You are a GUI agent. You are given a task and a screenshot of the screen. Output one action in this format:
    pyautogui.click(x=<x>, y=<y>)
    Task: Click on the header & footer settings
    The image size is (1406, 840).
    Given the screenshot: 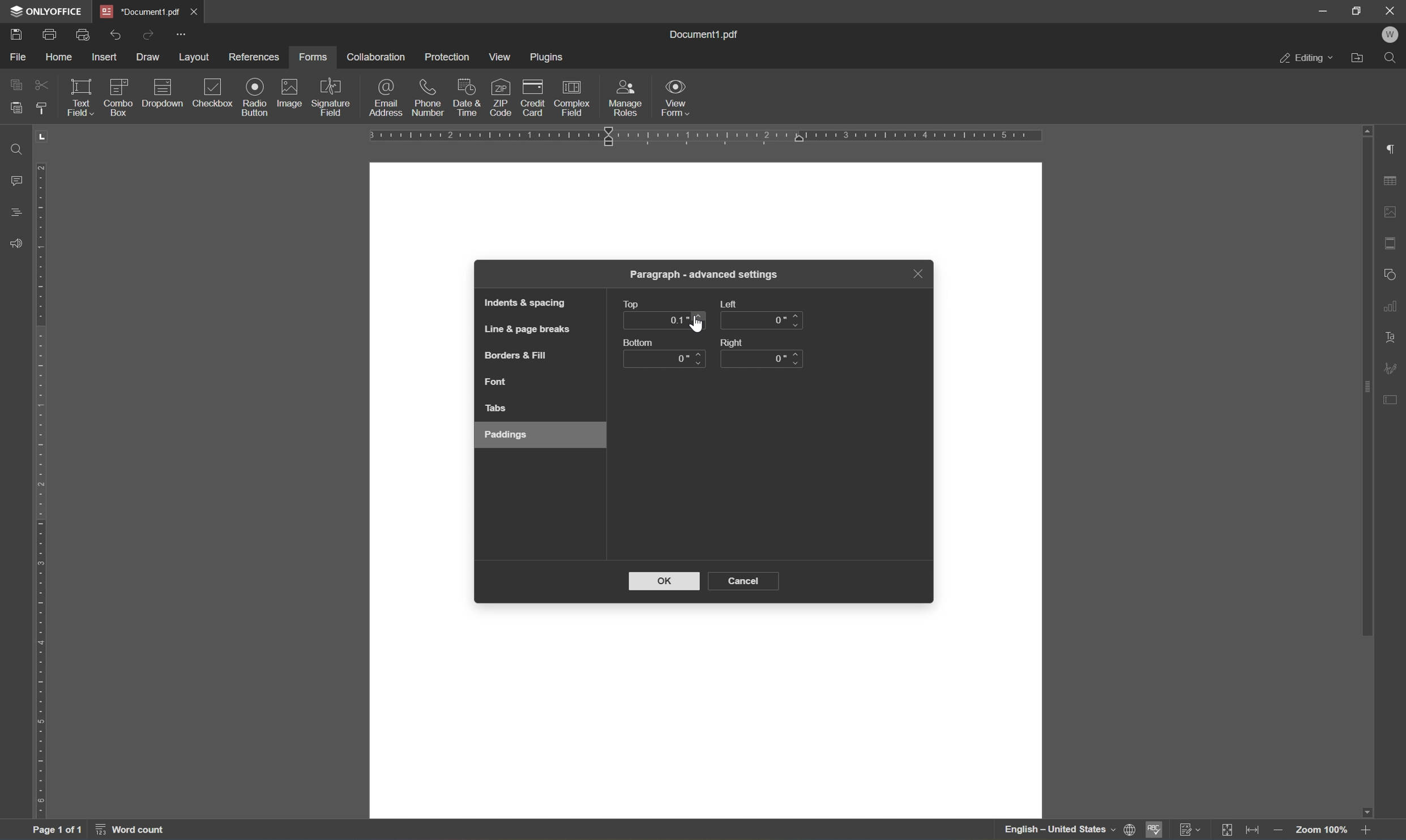 What is the action you would take?
    pyautogui.click(x=1391, y=244)
    